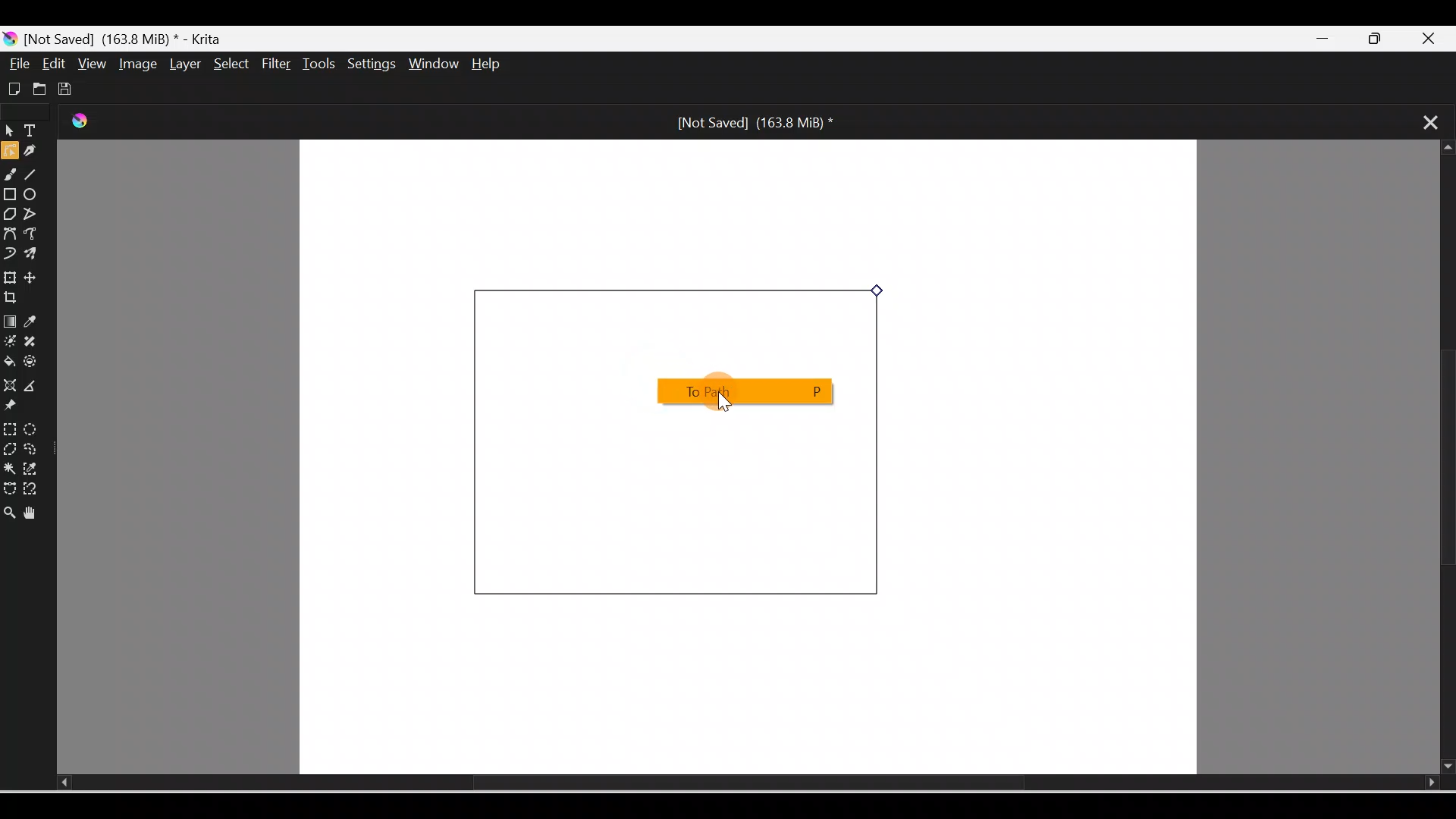 The width and height of the screenshot is (1456, 819). What do you see at coordinates (182, 64) in the screenshot?
I see `Layer` at bounding box center [182, 64].